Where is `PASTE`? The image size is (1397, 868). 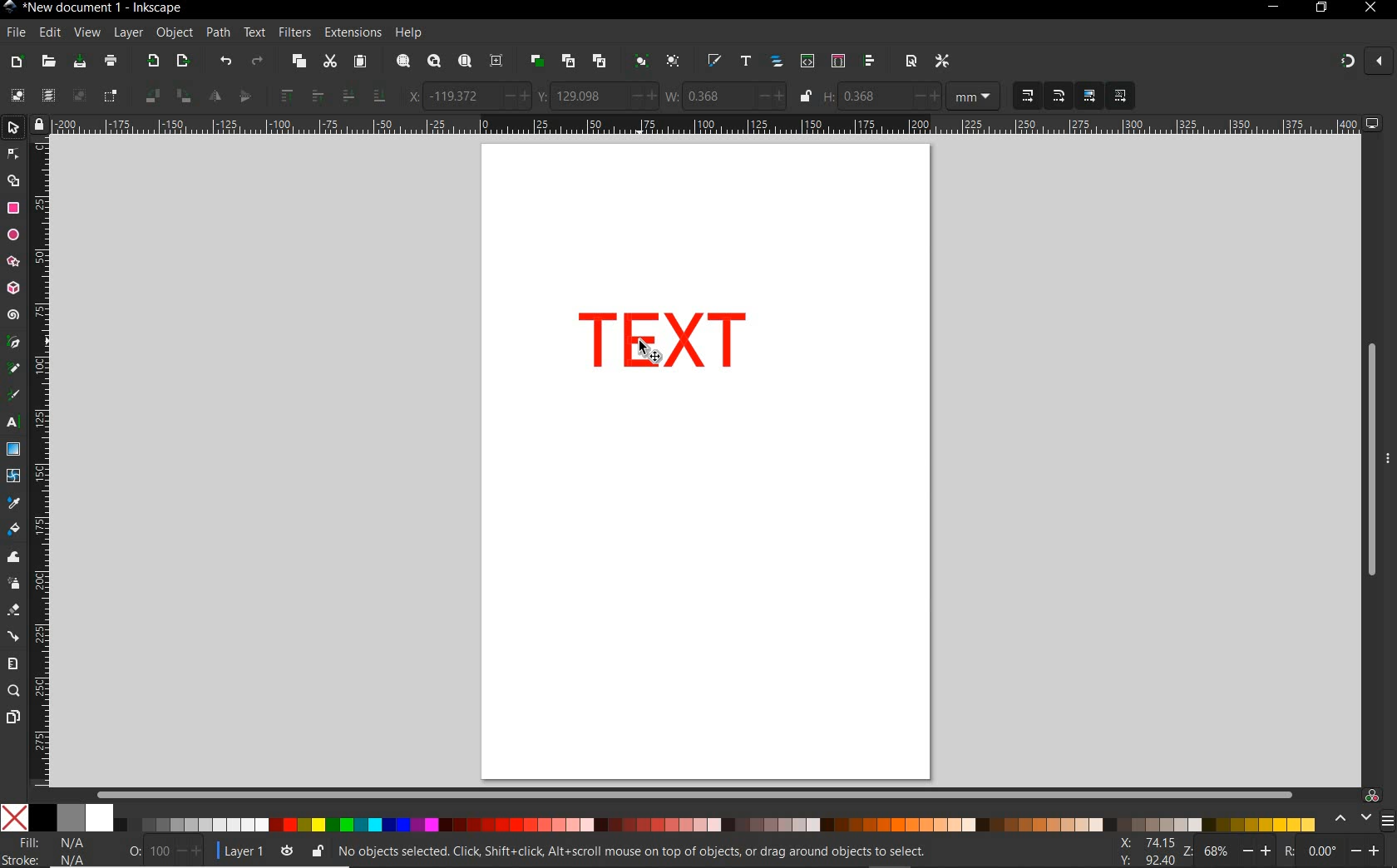
PASTE is located at coordinates (361, 62).